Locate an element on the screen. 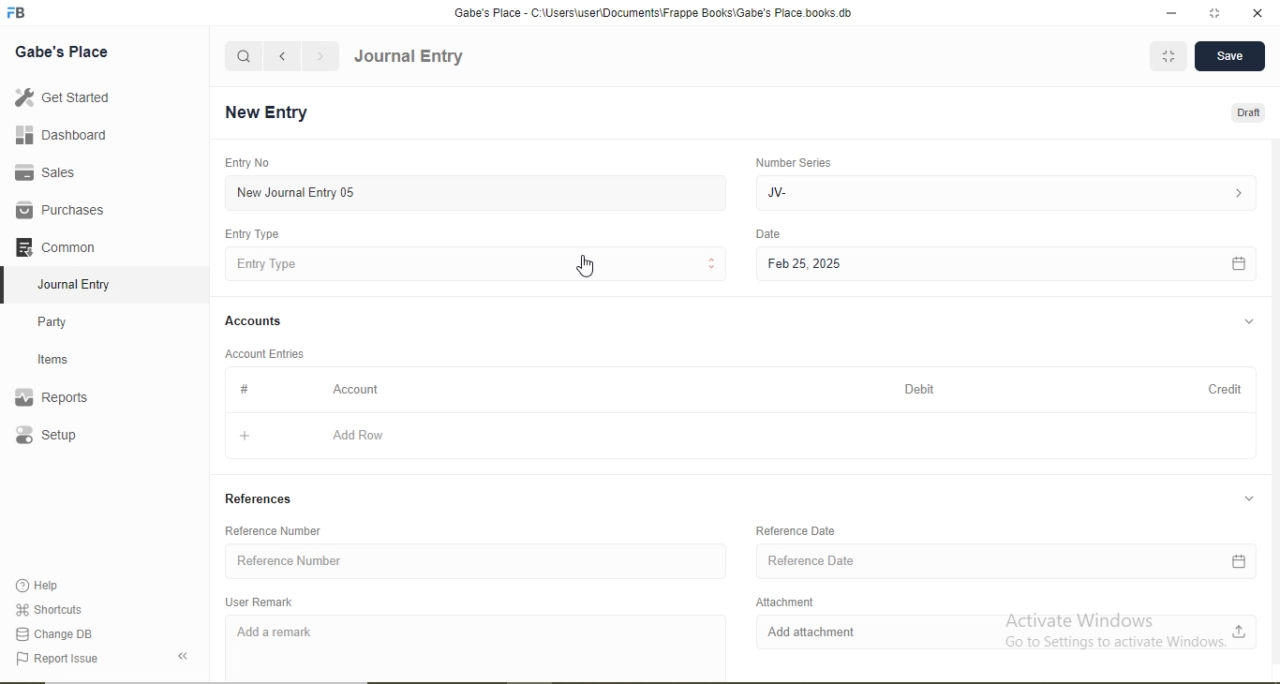 The height and width of the screenshot is (684, 1280). Add attachment is located at coordinates (1006, 632).